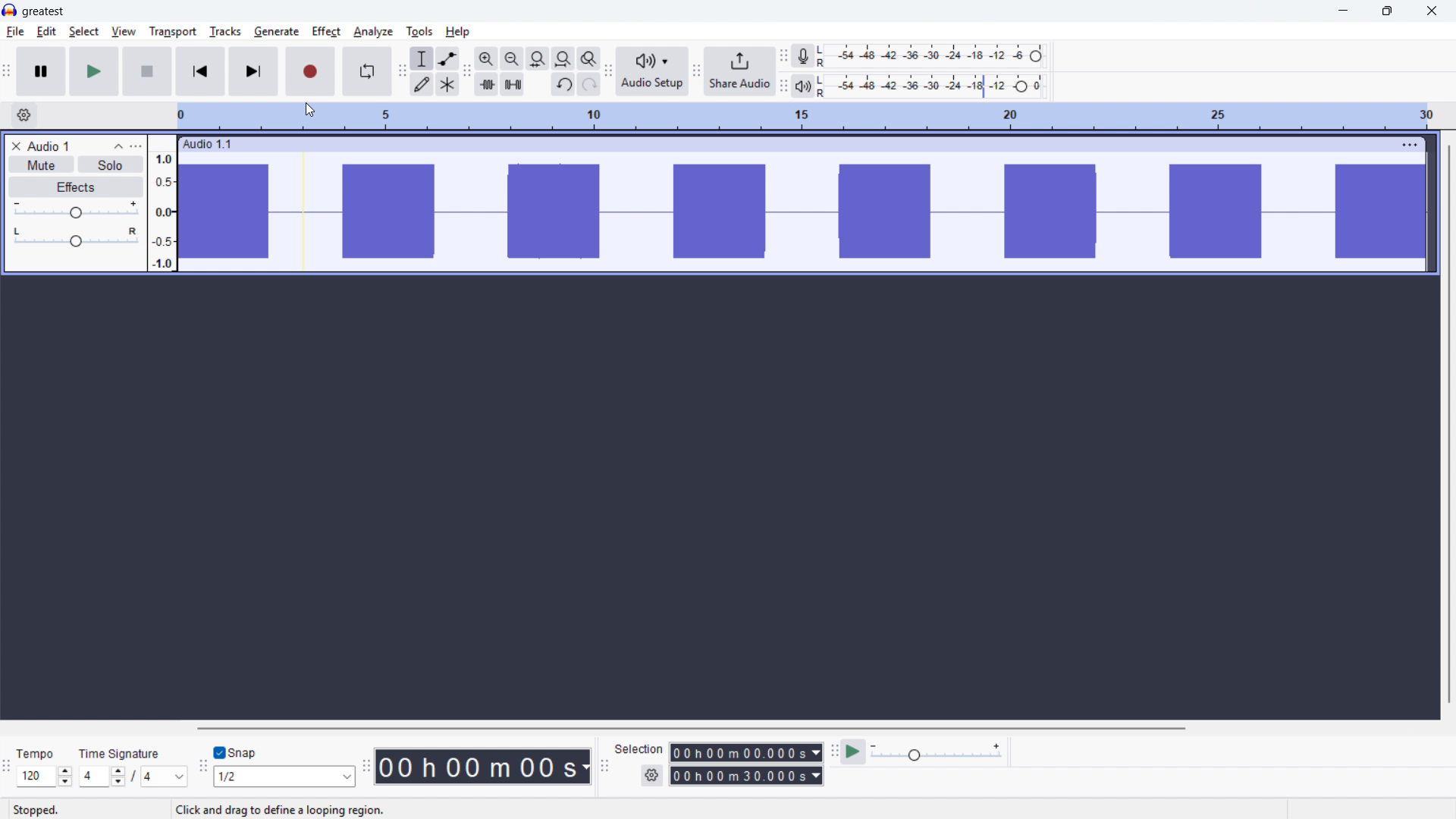  What do you see at coordinates (745, 752) in the screenshot?
I see `Selection start time ` at bounding box center [745, 752].